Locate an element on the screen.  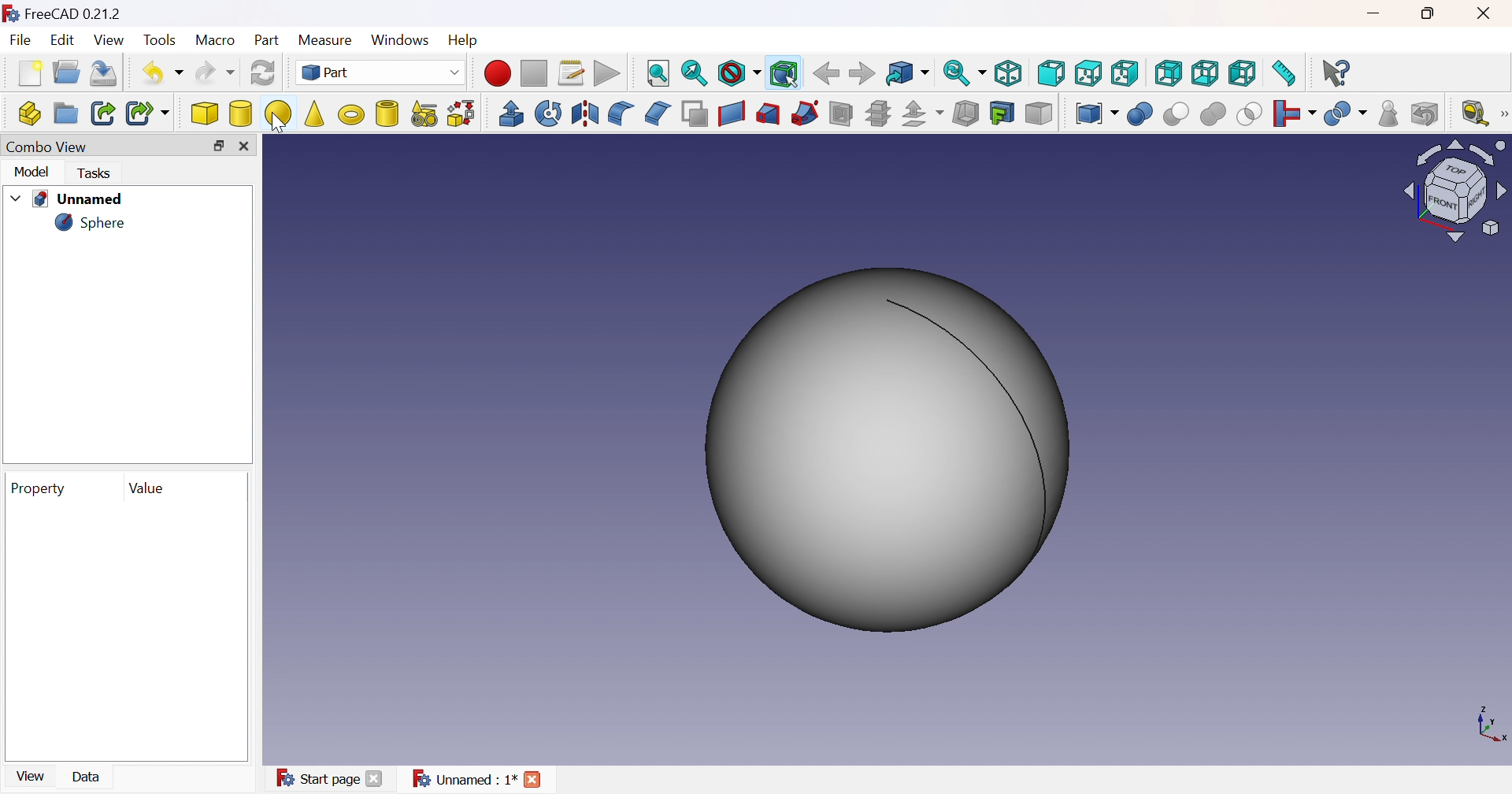
Shape builder is located at coordinates (461, 113).